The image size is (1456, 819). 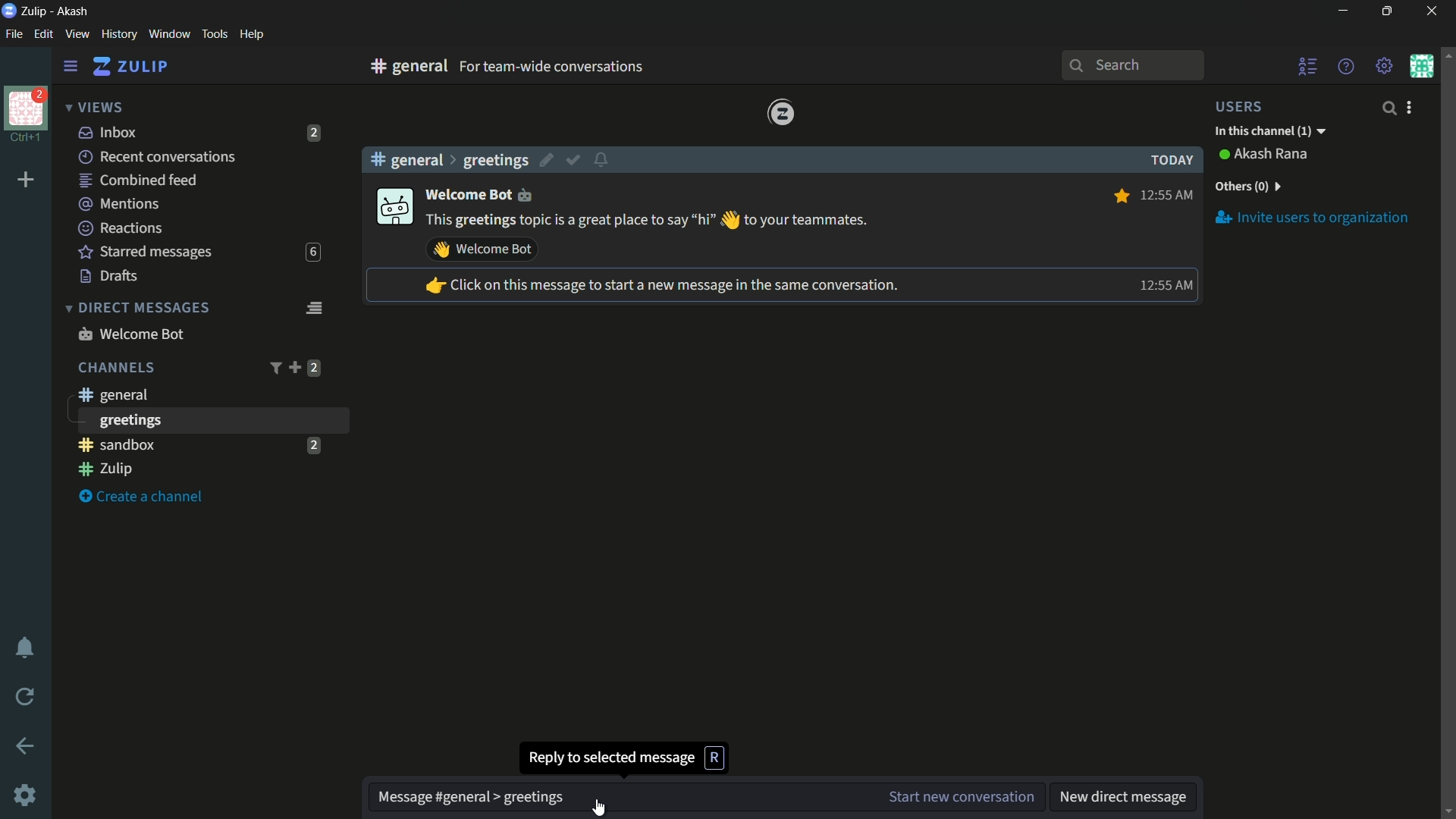 What do you see at coordinates (43, 34) in the screenshot?
I see `edit menu` at bounding box center [43, 34].